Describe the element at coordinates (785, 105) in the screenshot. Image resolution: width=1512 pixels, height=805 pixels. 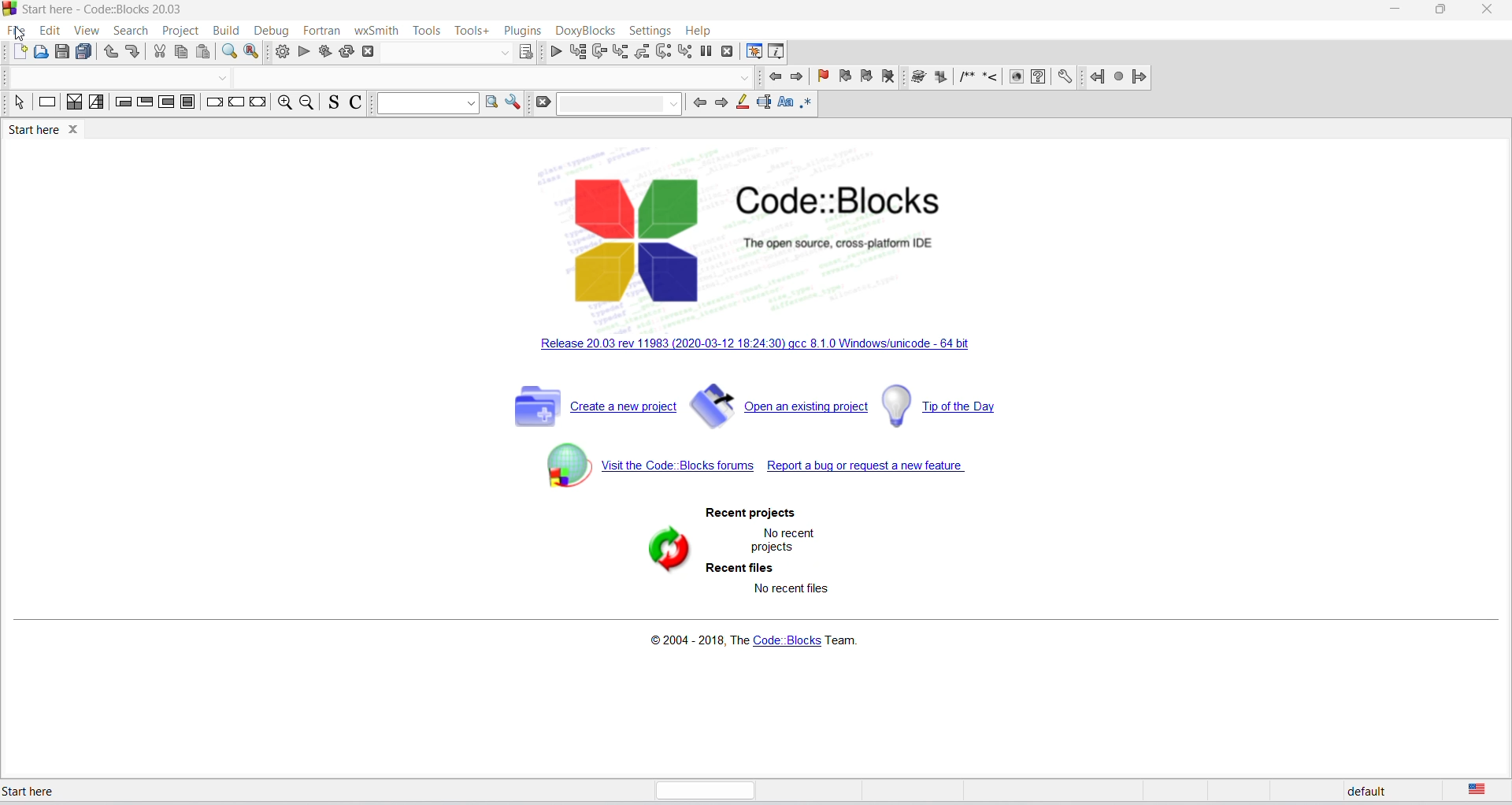
I see `match case` at that location.